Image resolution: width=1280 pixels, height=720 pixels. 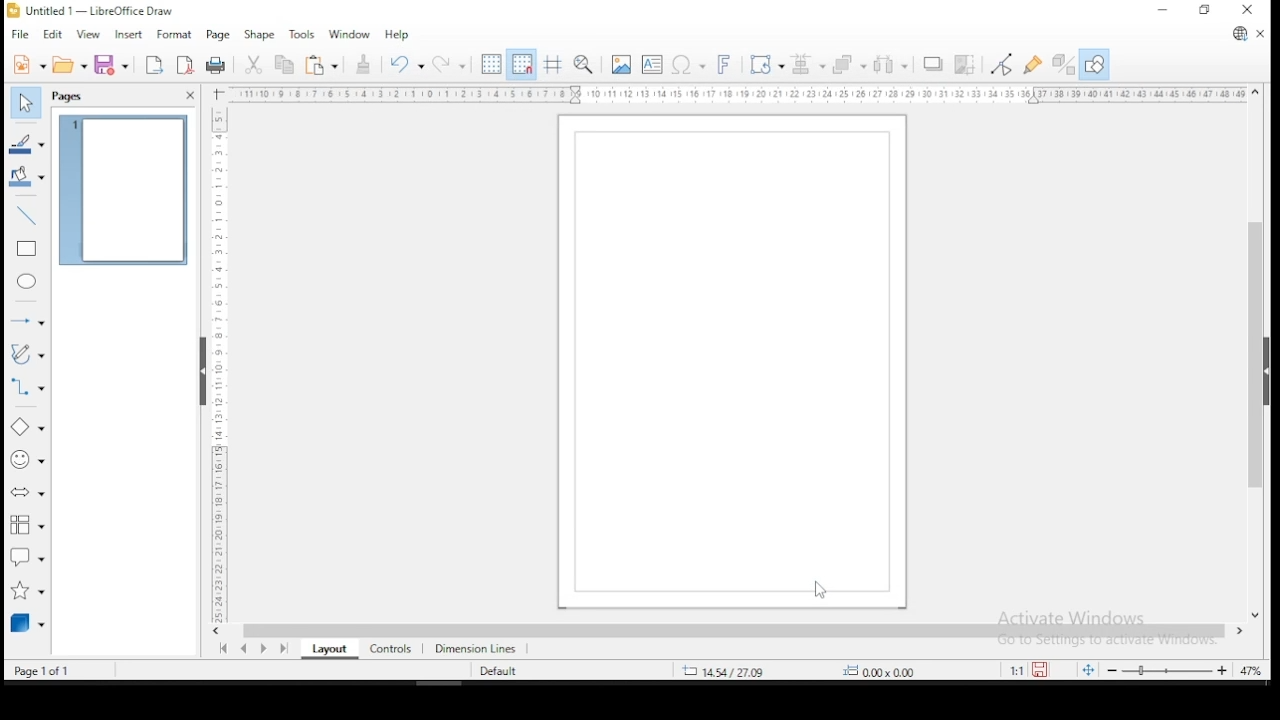 I want to click on transformations, so click(x=765, y=66).